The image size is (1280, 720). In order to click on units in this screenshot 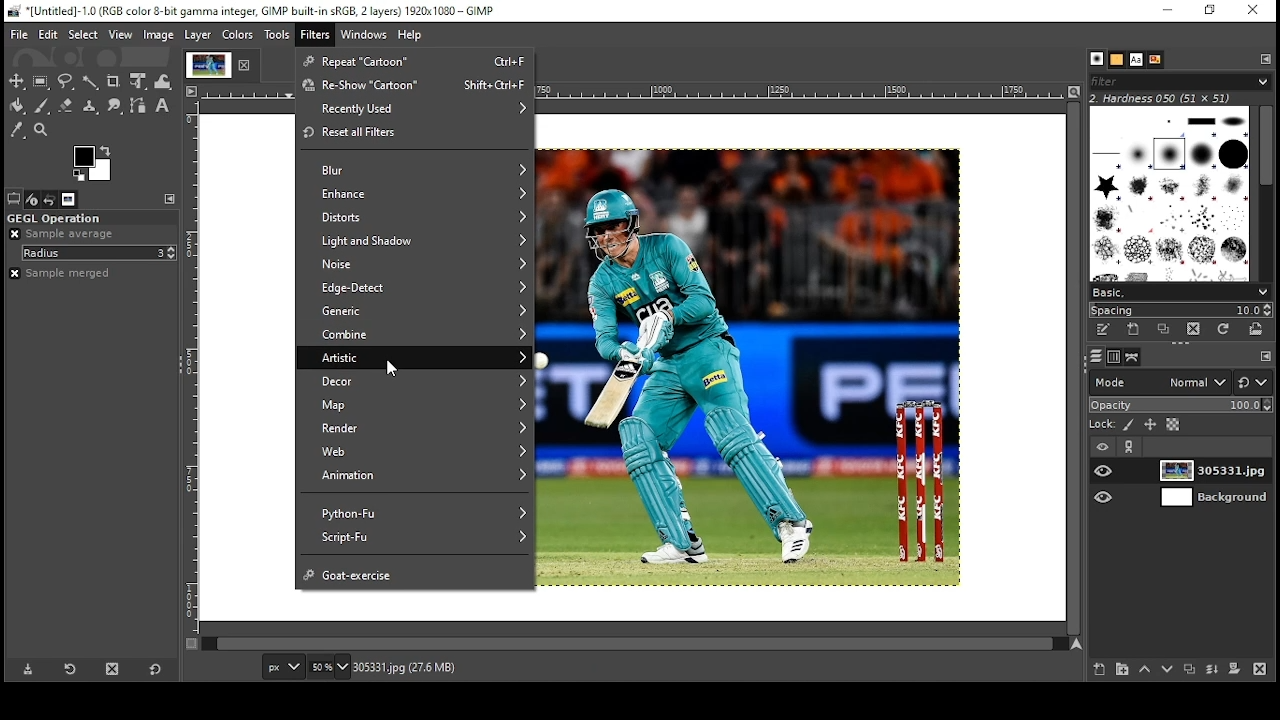, I will do `click(283, 666)`.